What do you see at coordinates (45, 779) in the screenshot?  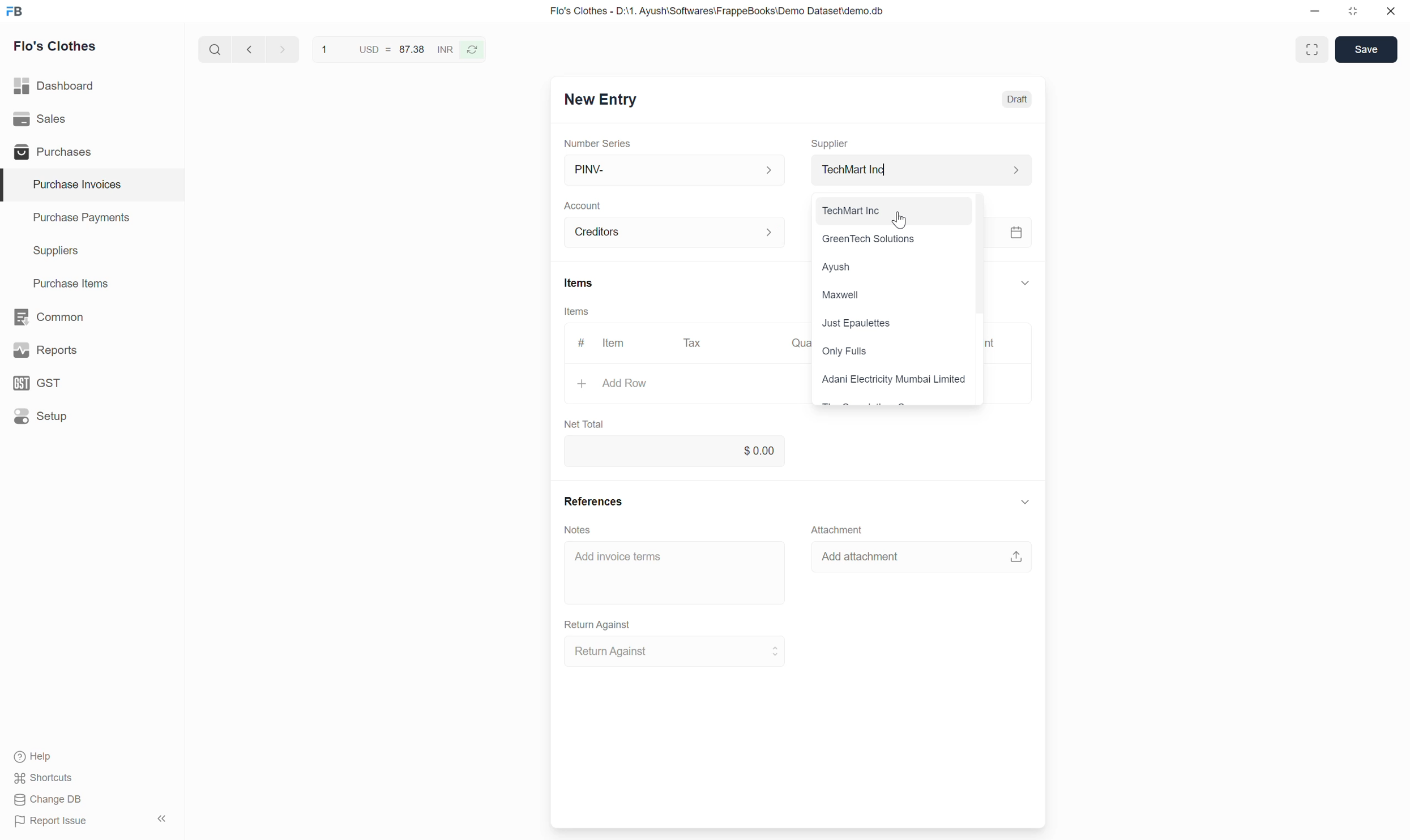 I see `Shortcuts` at bounding box center [45, 779].